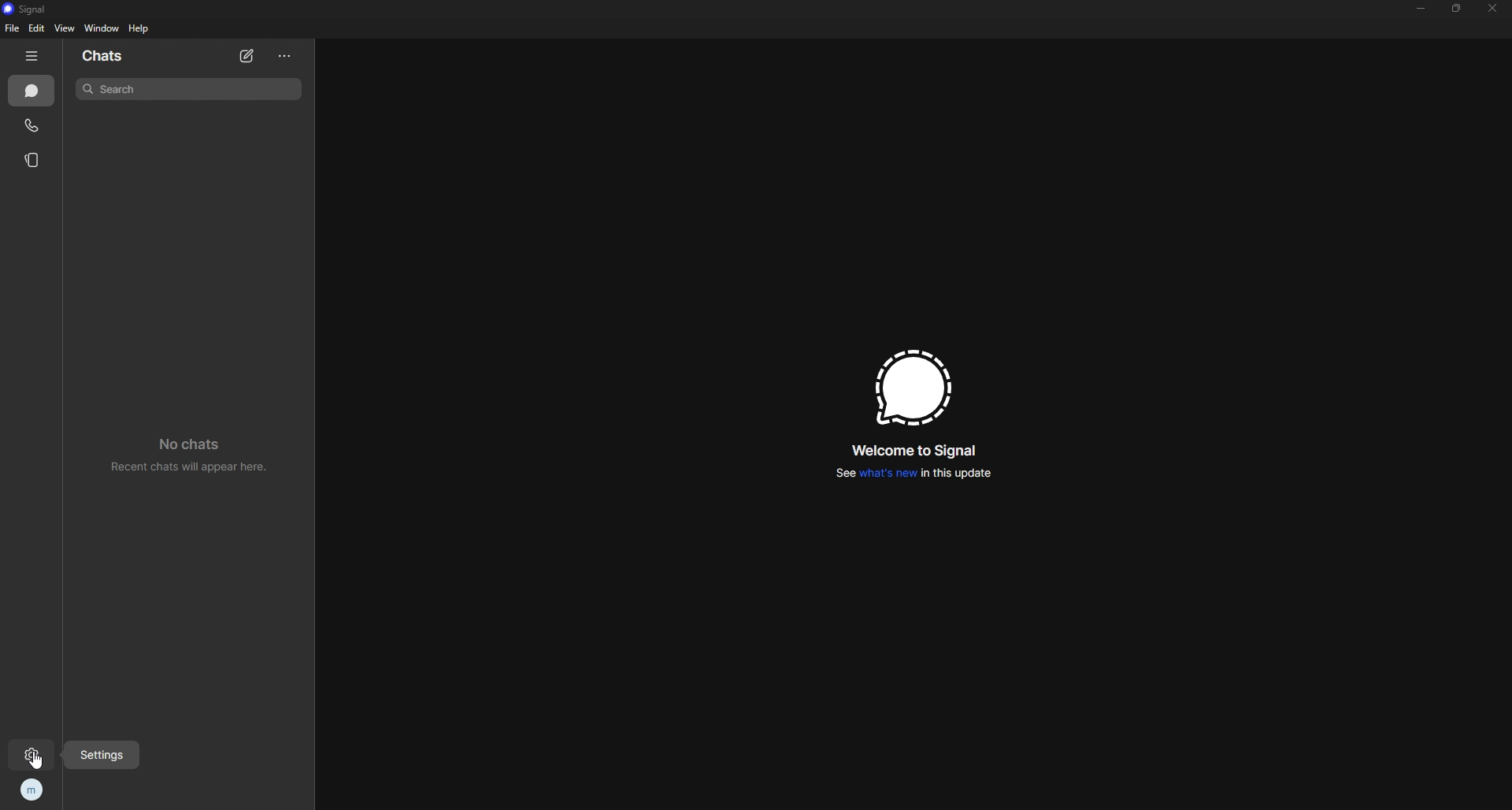  I want to click on file, so click(12, 29).